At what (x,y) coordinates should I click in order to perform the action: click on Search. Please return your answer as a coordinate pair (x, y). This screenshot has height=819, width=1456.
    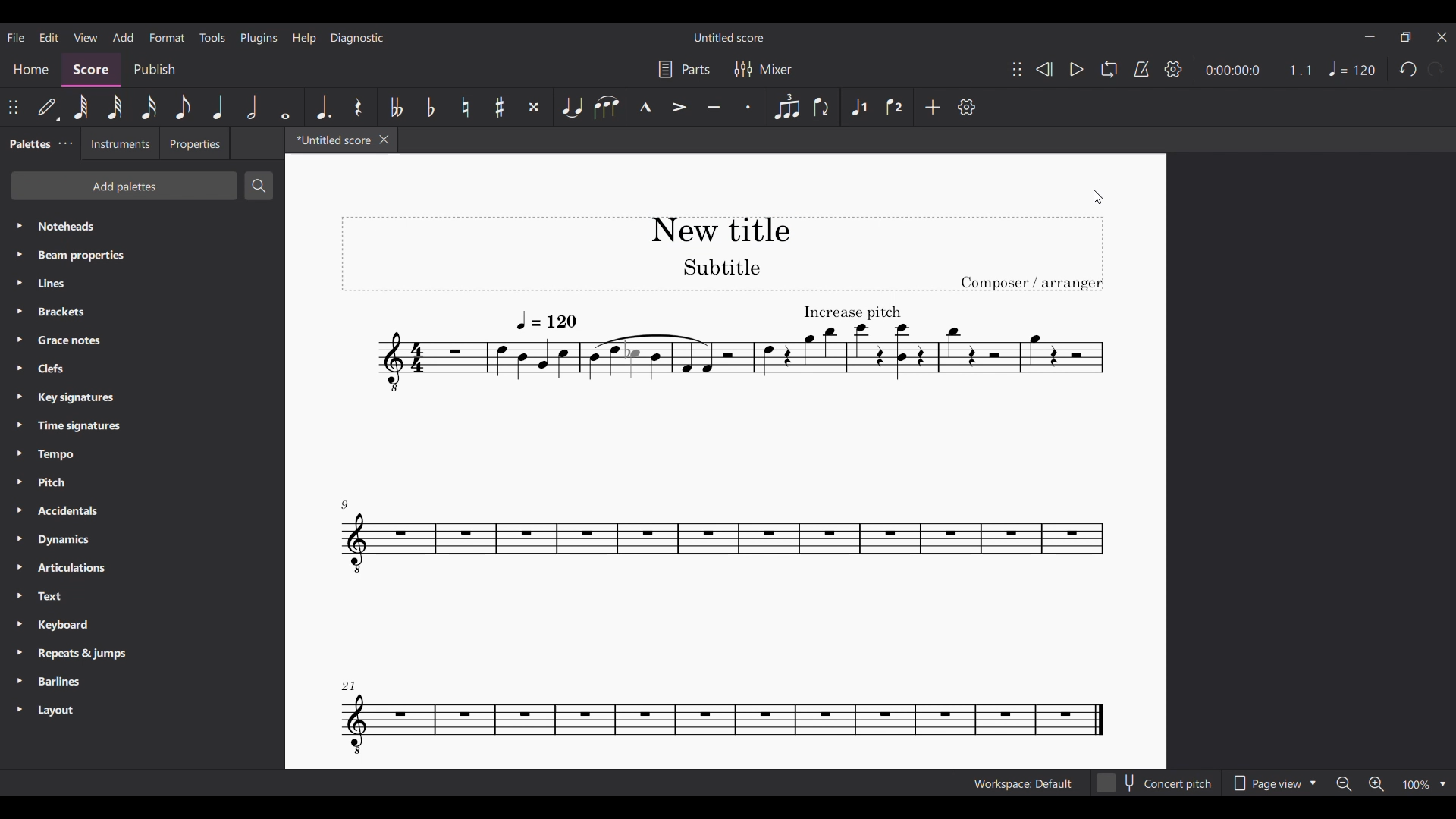
    Looking at the image, I should click on (259, 185).